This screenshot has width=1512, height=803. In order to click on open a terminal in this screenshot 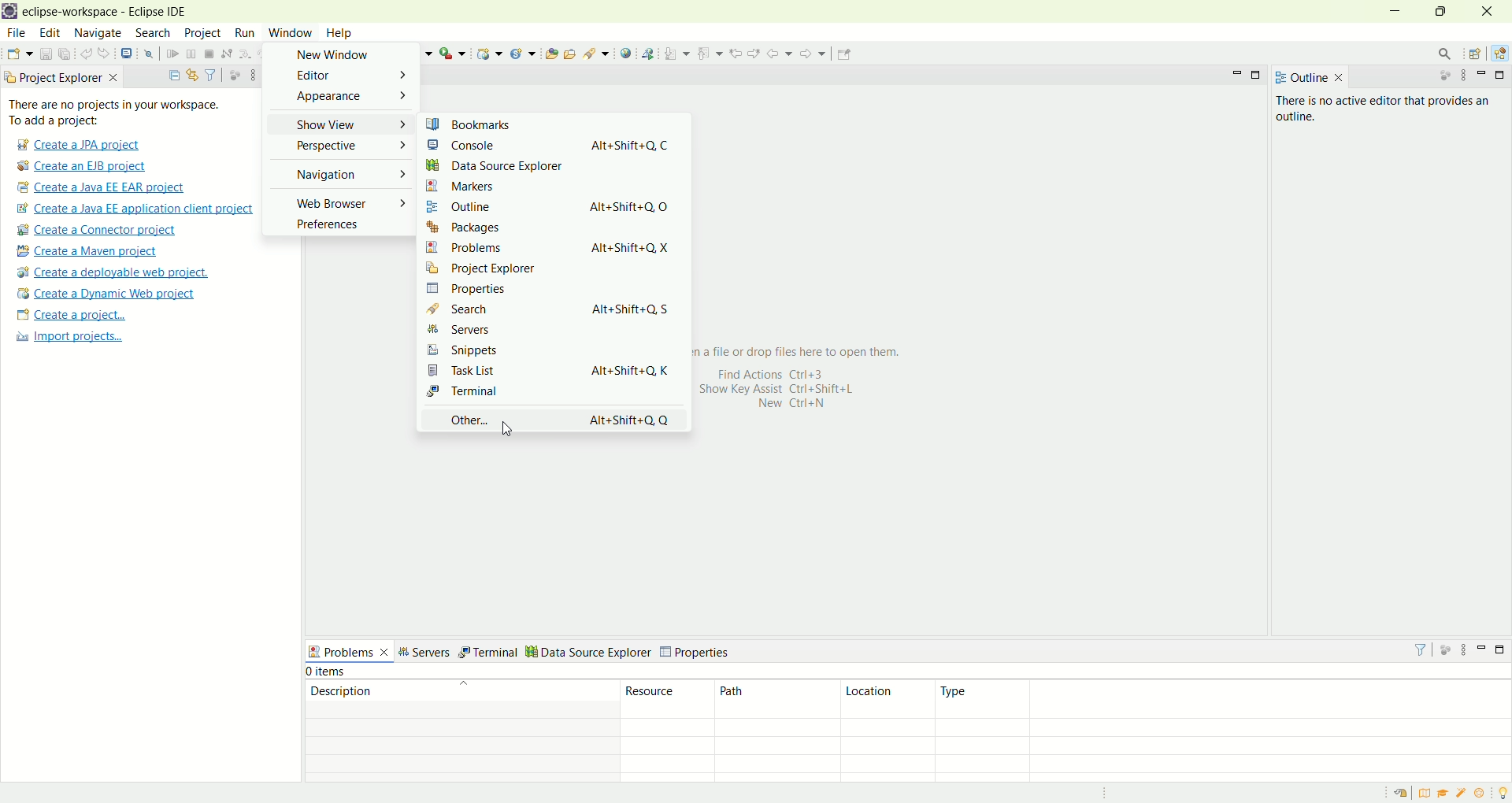, I will do `click(126, 54)`.